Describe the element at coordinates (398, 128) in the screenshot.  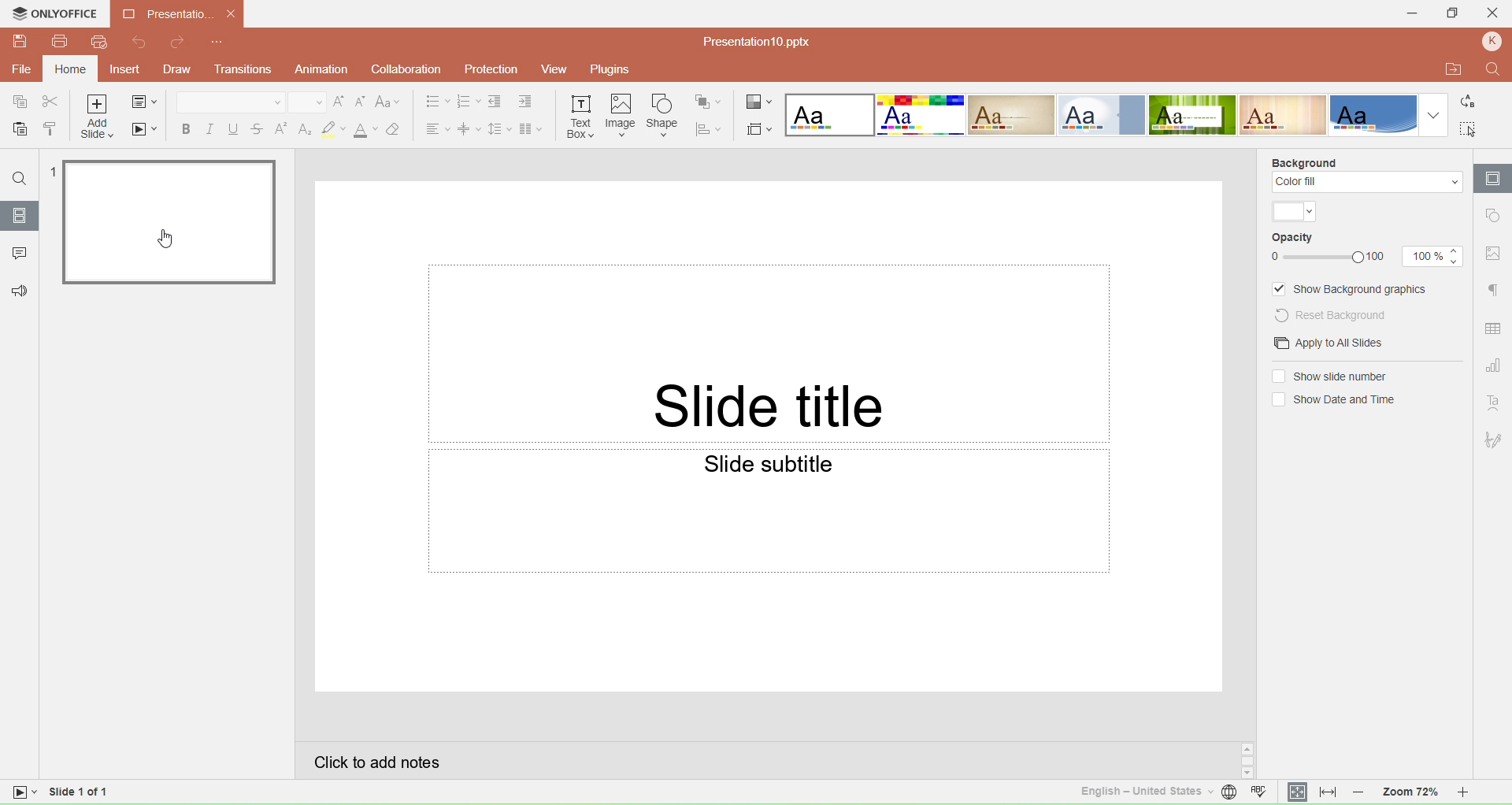
I see `Clear style` at that location.